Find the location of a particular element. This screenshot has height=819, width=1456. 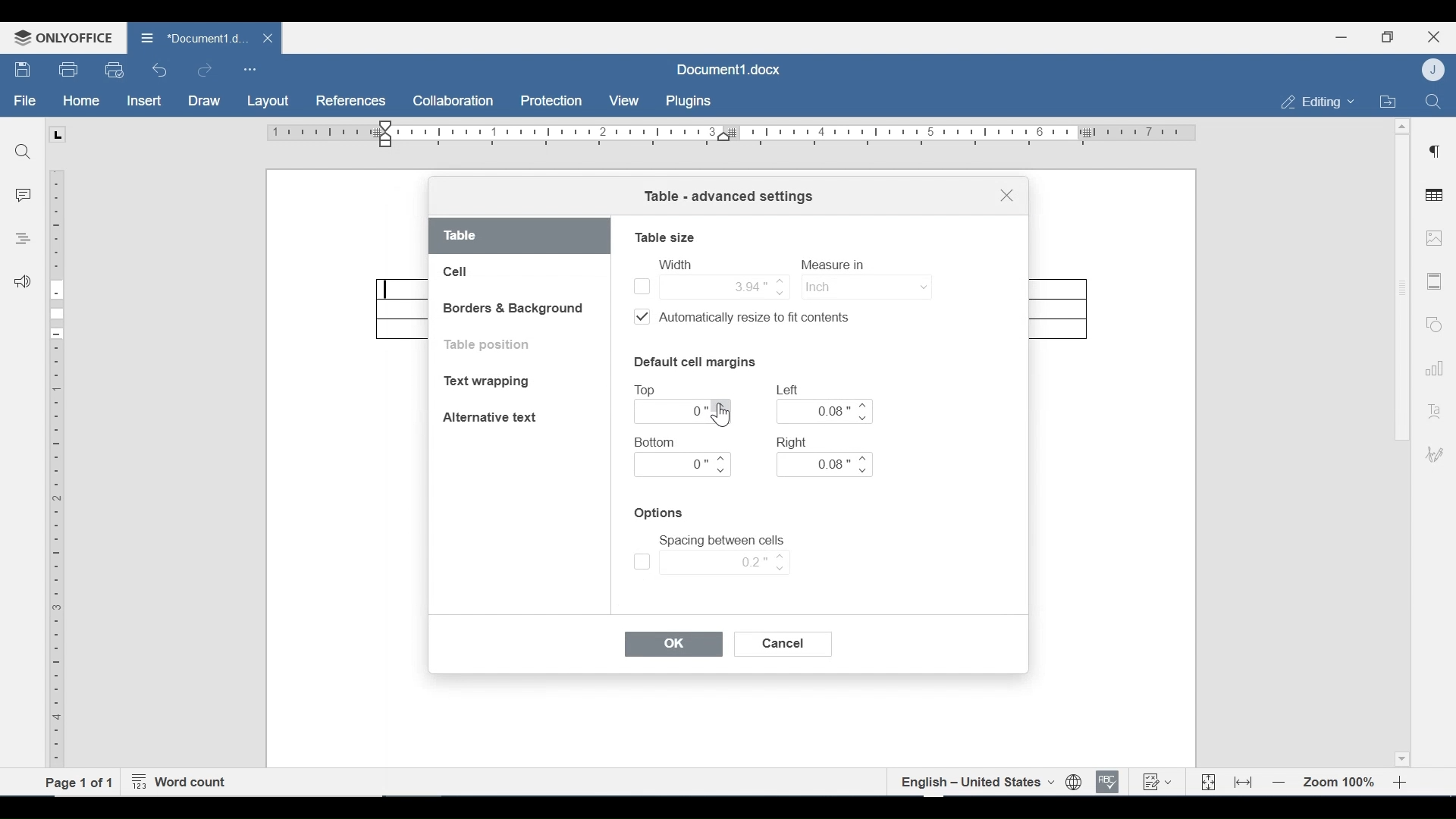

Header and Footer is located at coordinates (1435, 282).